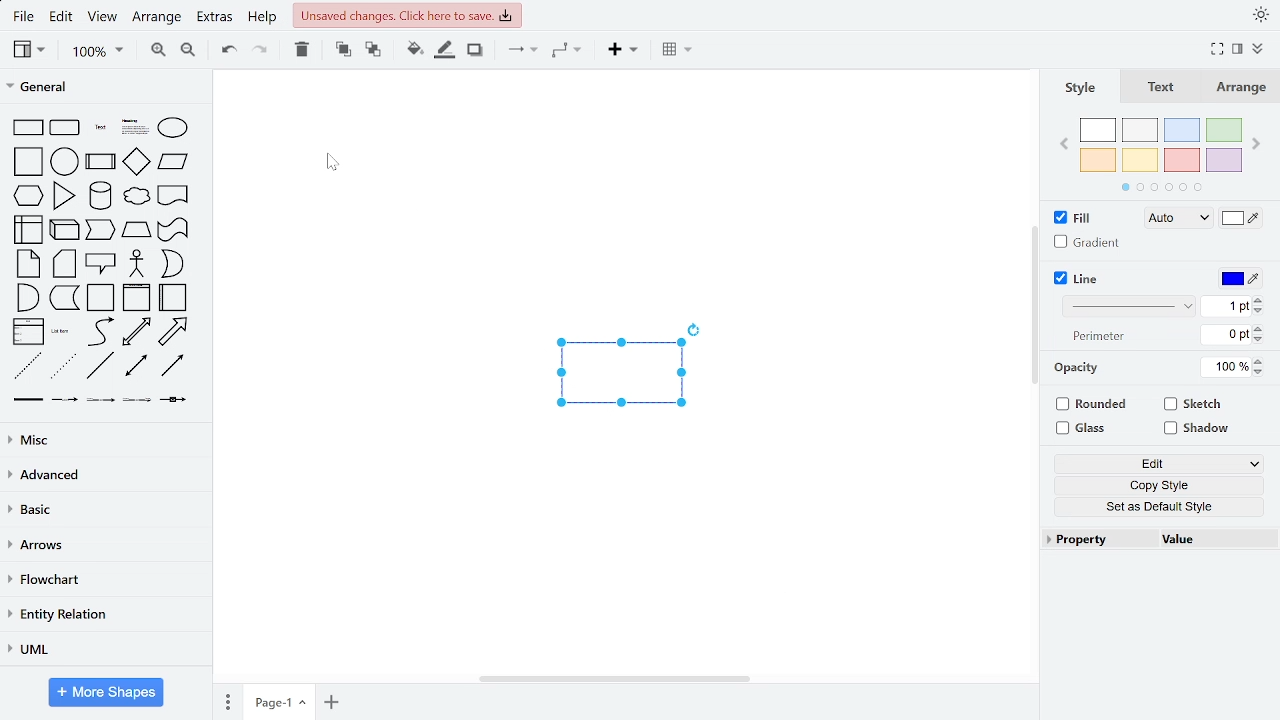 This screenshot has height=720, width=1280. I want to click on text, so click(1099, 336).